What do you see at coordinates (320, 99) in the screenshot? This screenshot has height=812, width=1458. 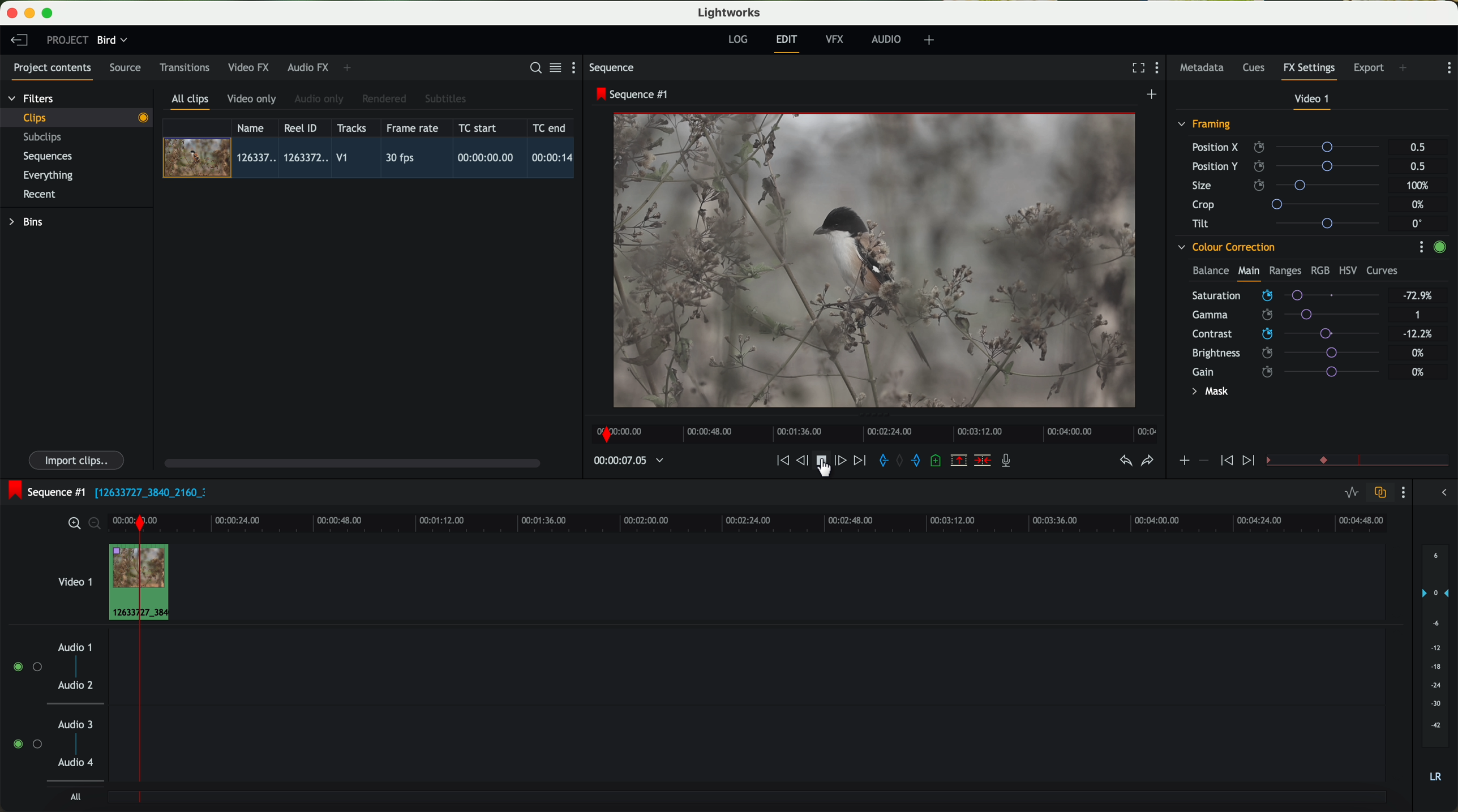 I see `audio only` at bounding box center [320, 99].